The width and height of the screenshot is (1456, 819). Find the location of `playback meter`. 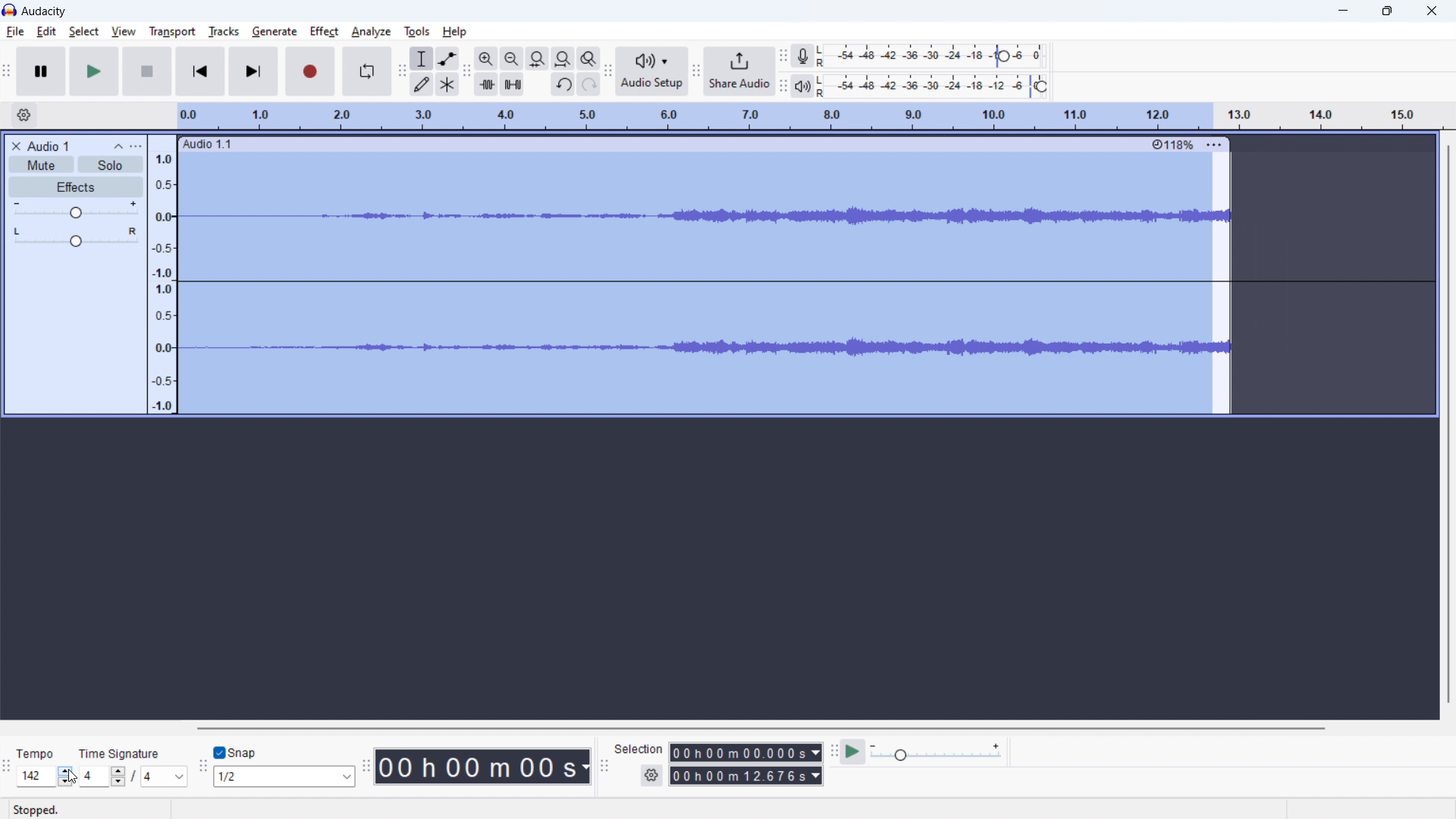

playback meter is located at coordinates (801, 86).